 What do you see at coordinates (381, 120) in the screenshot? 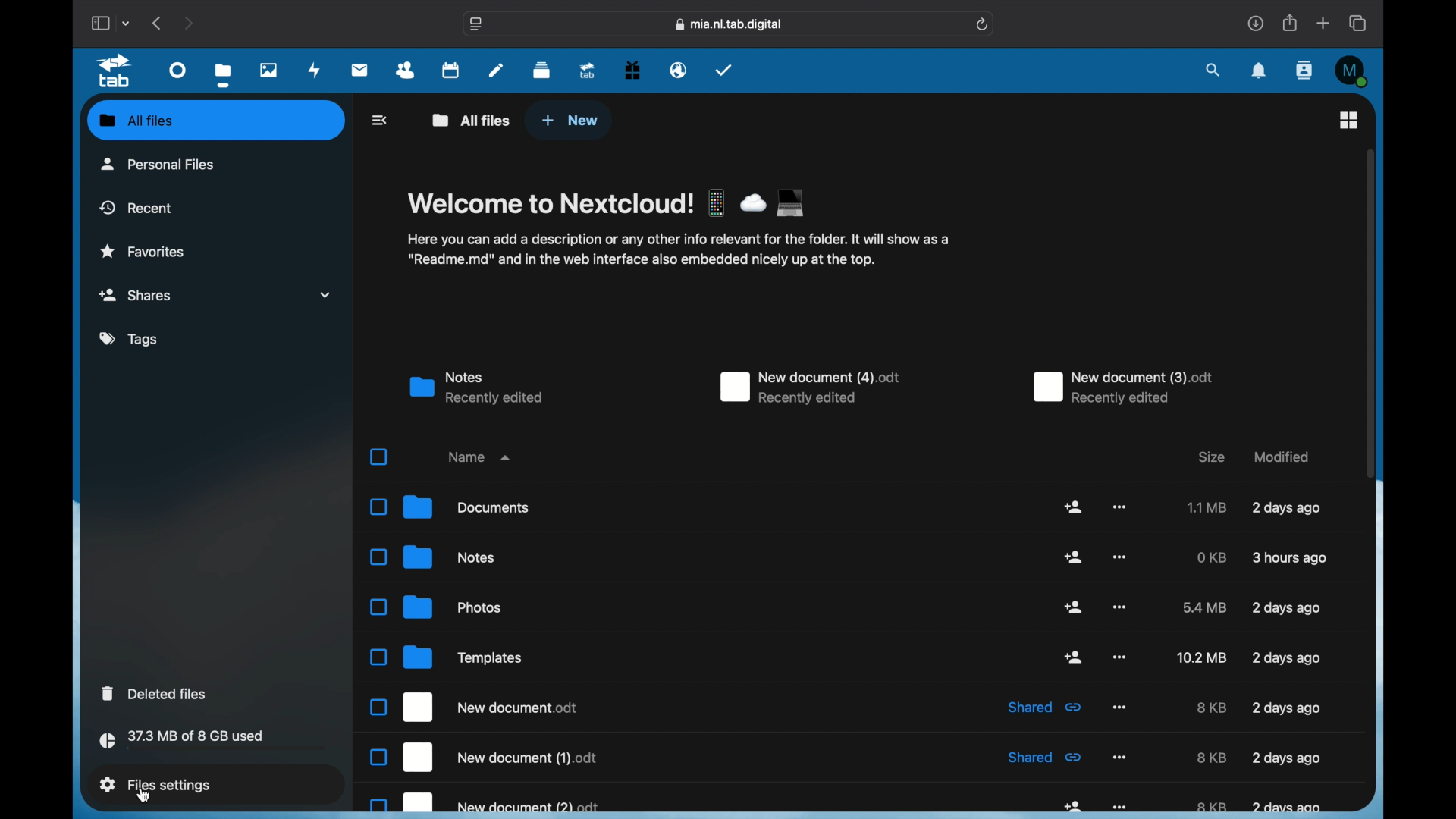
I see `back` at bounding box center [381, 120].